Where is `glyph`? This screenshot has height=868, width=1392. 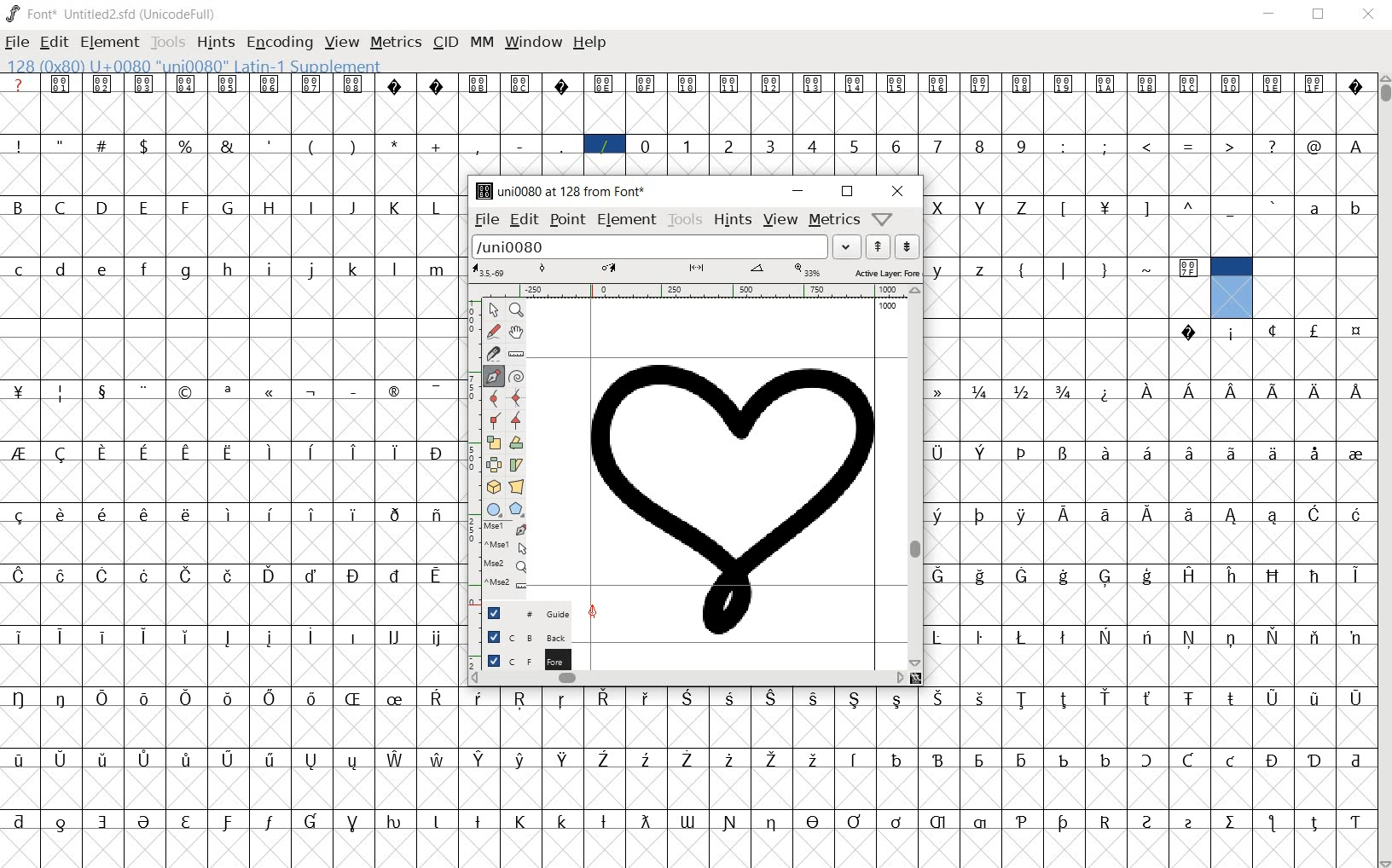
glyph is located at coordinates (1189, 637).